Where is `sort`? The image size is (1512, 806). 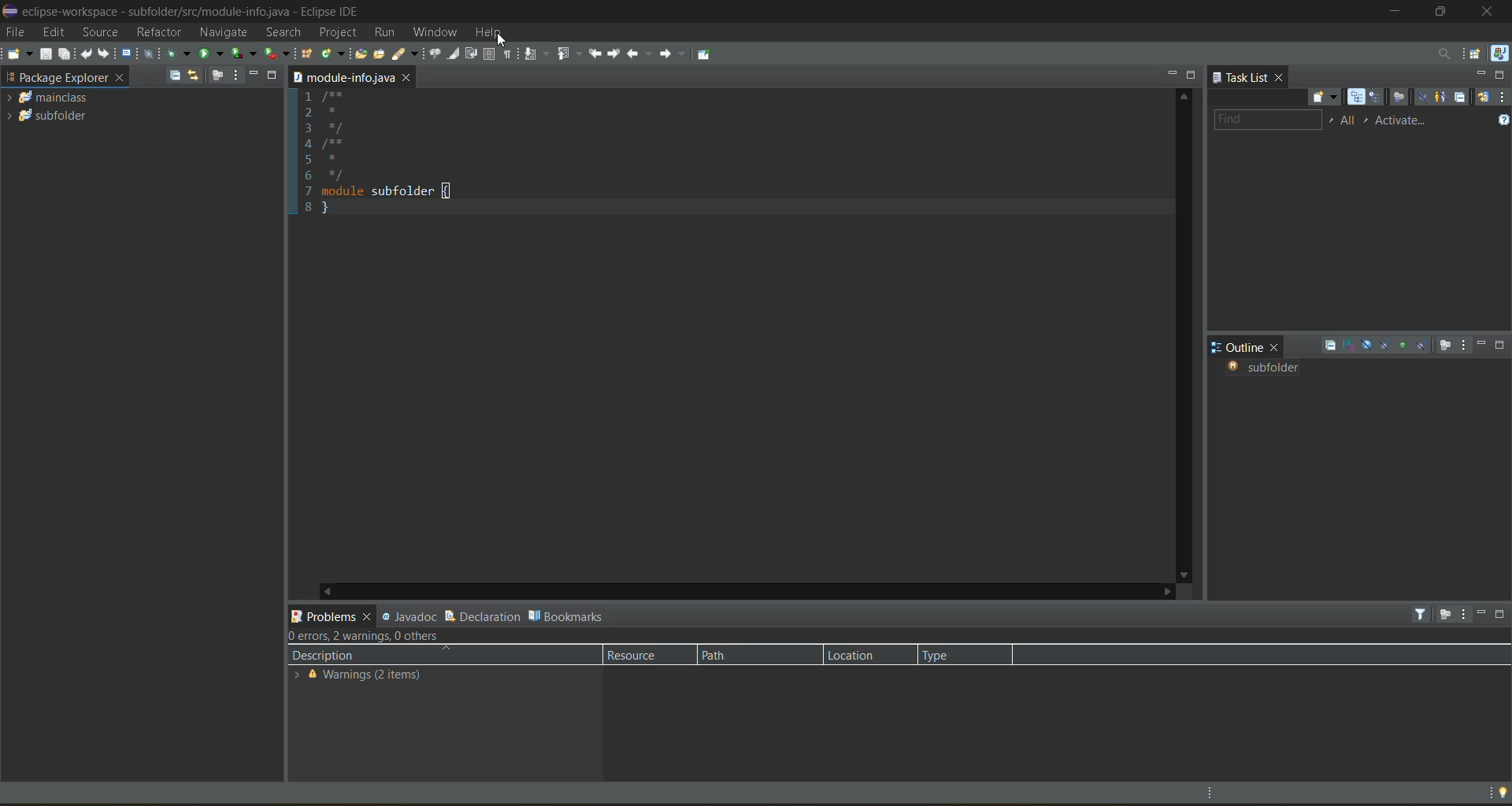 sort is located at coordinates (1350, 345).